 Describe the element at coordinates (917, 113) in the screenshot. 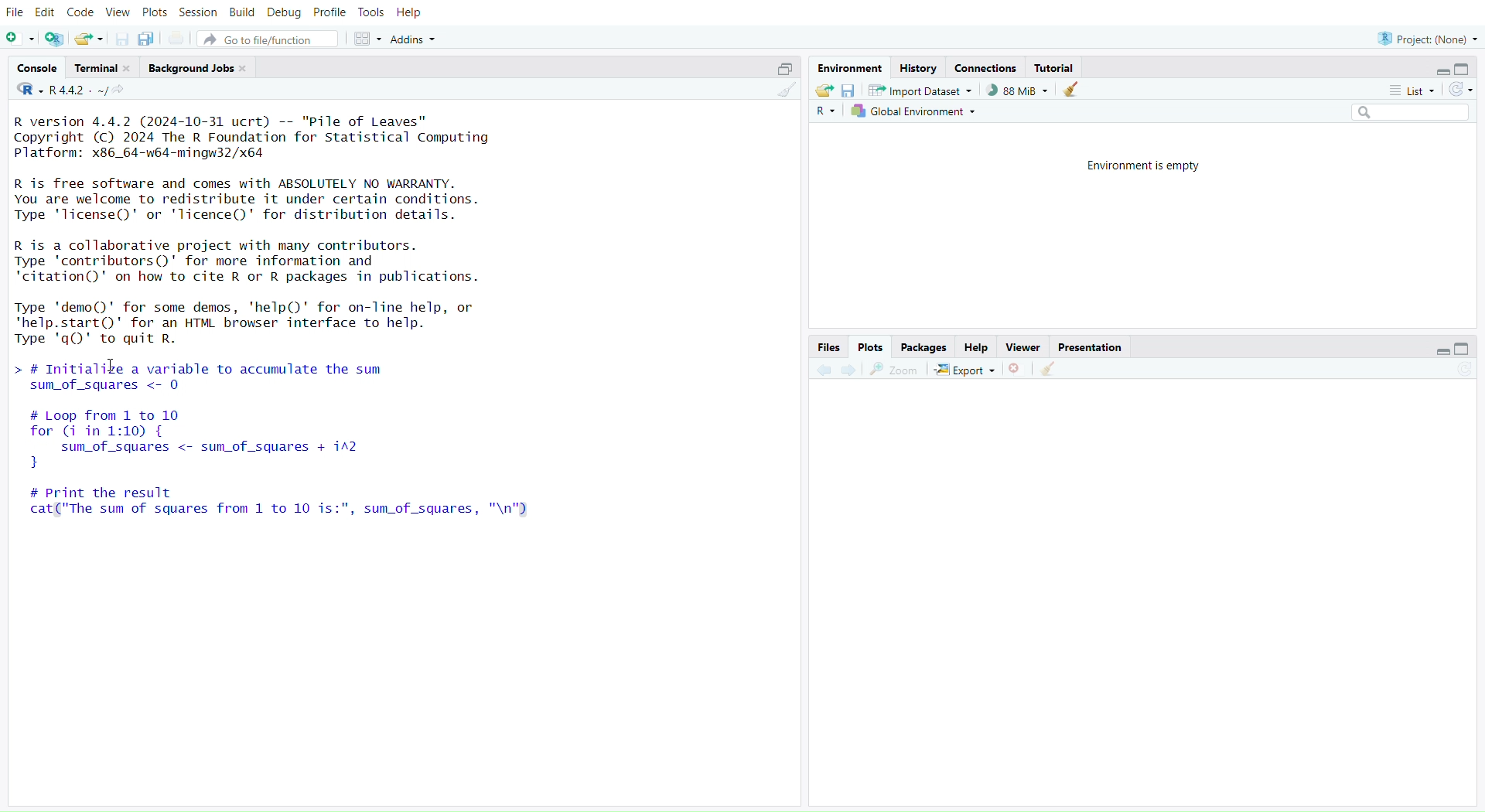

I see `global environment` at that location.